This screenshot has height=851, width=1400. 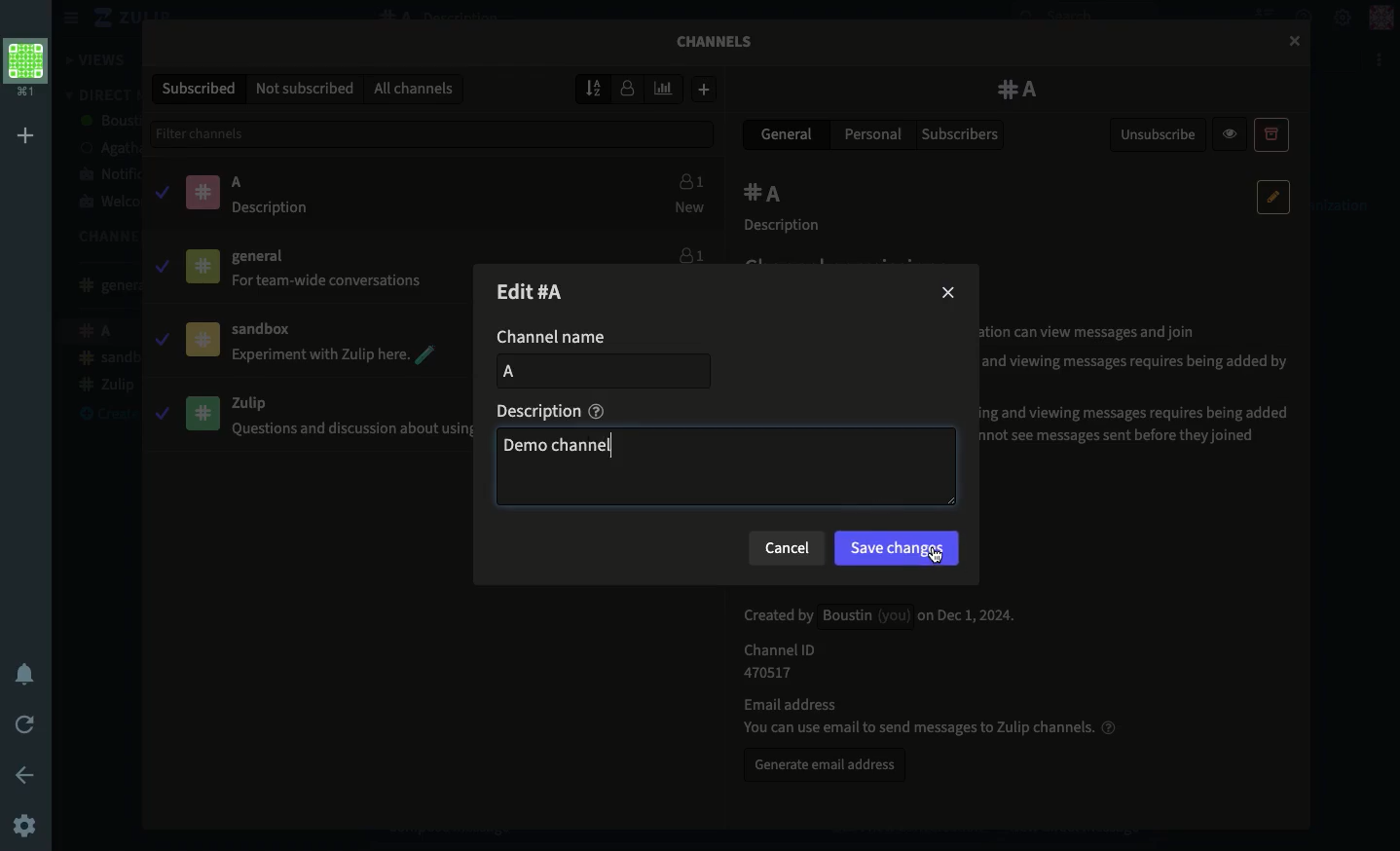 What do you see at coordinates (98, 60) in the screenshot?
I see `Views` at bounding box center [98, 60].